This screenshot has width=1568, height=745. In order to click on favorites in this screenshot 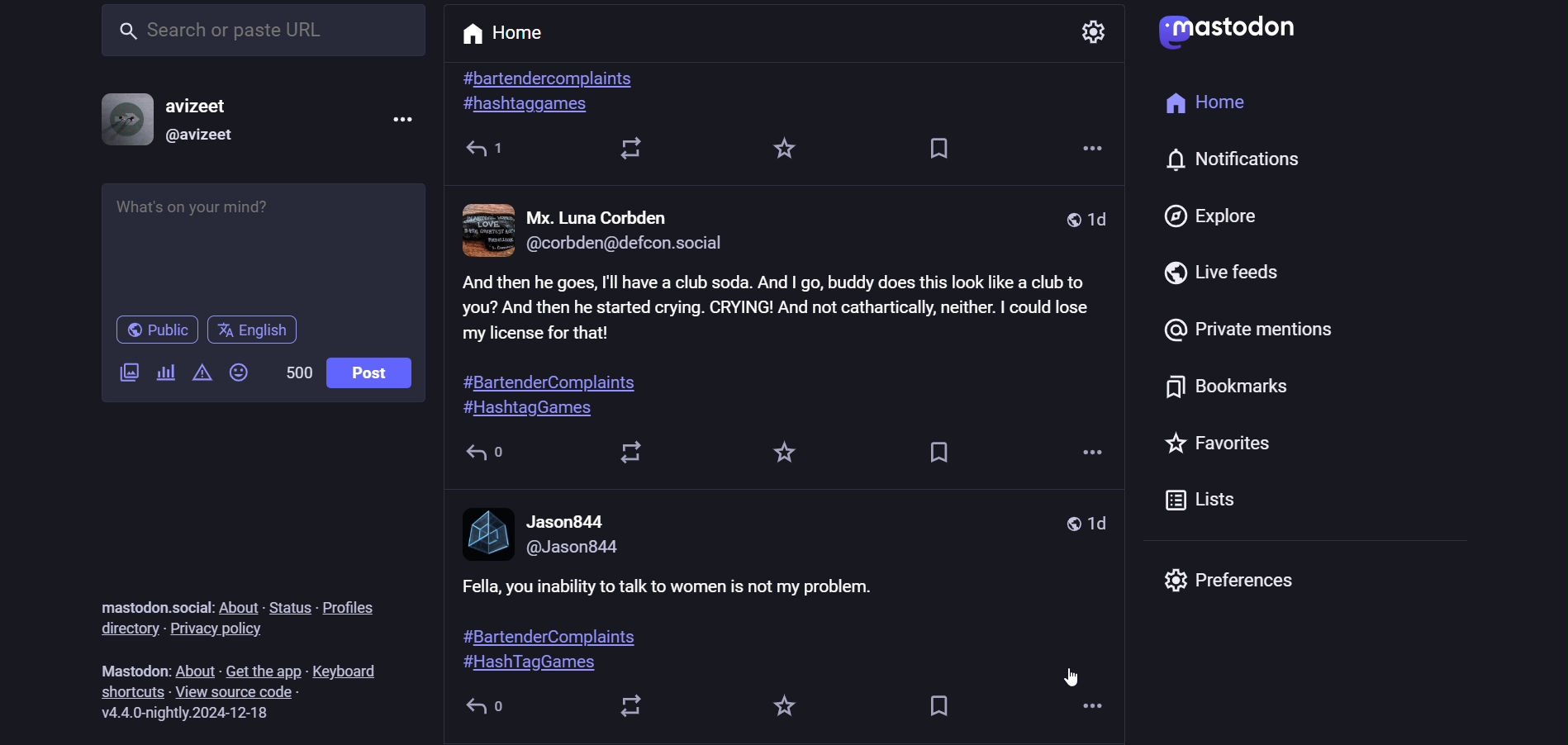, I will do `click(1220, 444)`.